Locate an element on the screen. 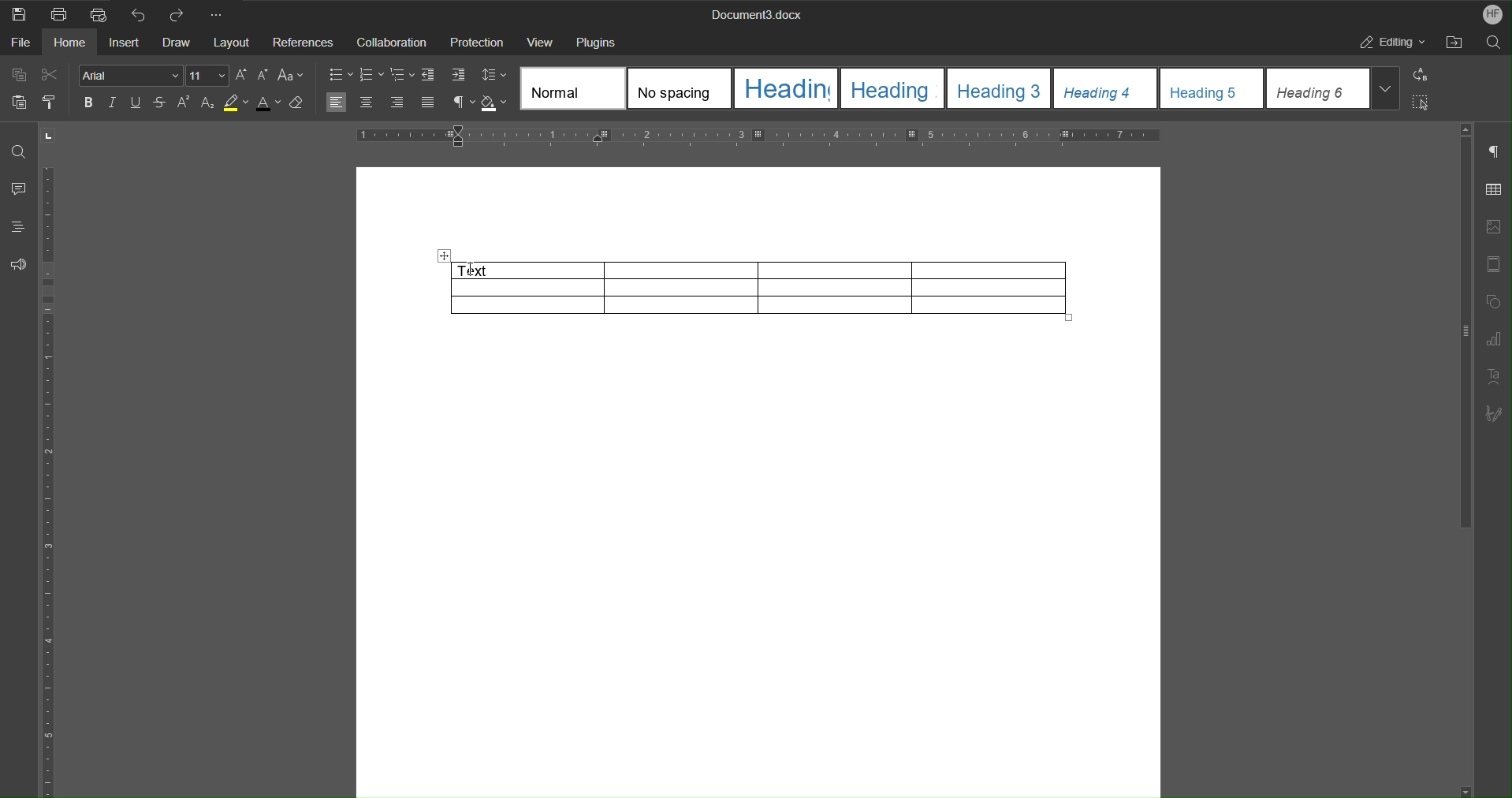  Feedback and Support is located at coordinates (19, 261).